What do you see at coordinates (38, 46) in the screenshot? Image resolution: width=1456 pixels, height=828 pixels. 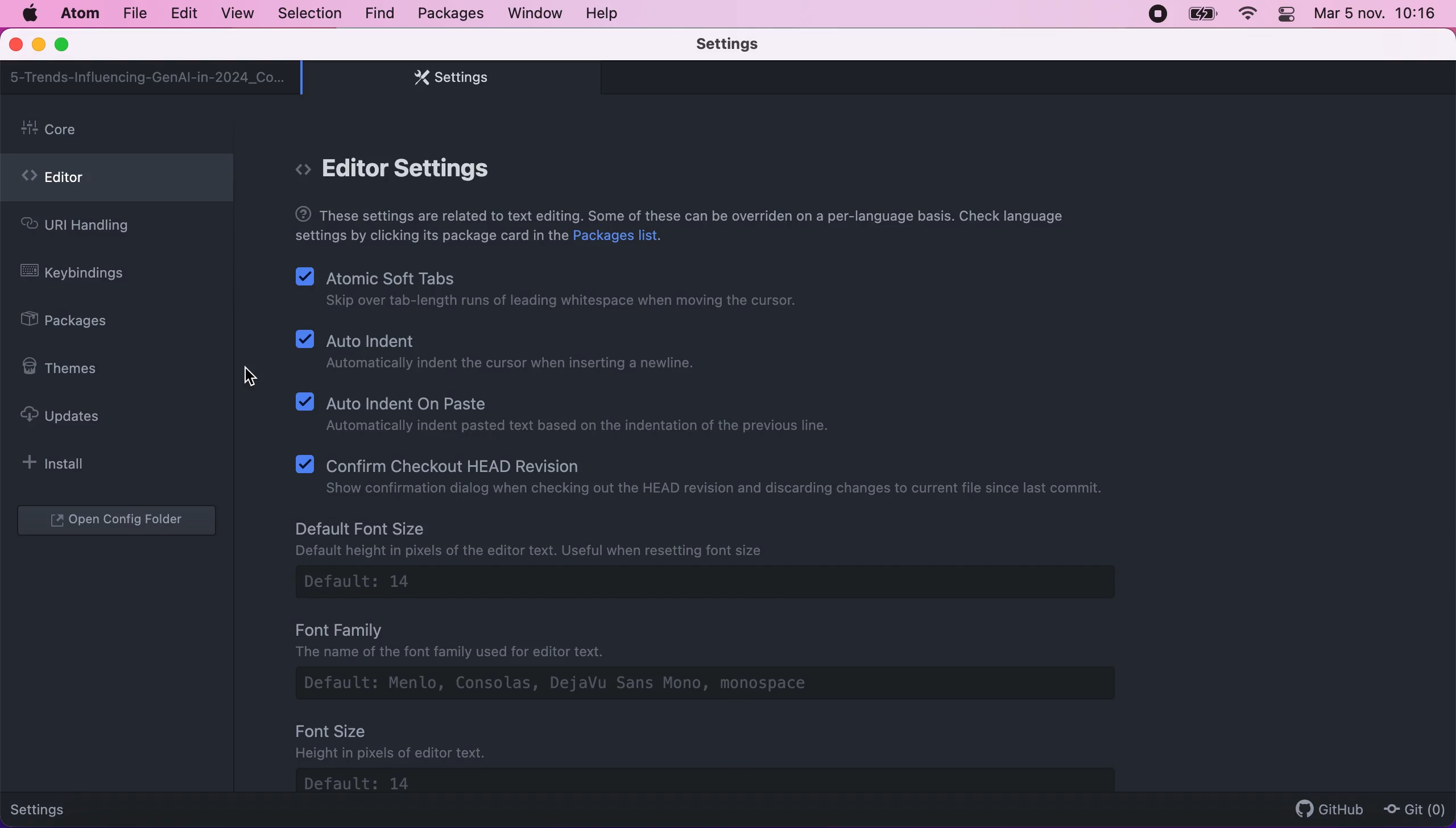 I see `minimize` at bounding box center [38, 46].